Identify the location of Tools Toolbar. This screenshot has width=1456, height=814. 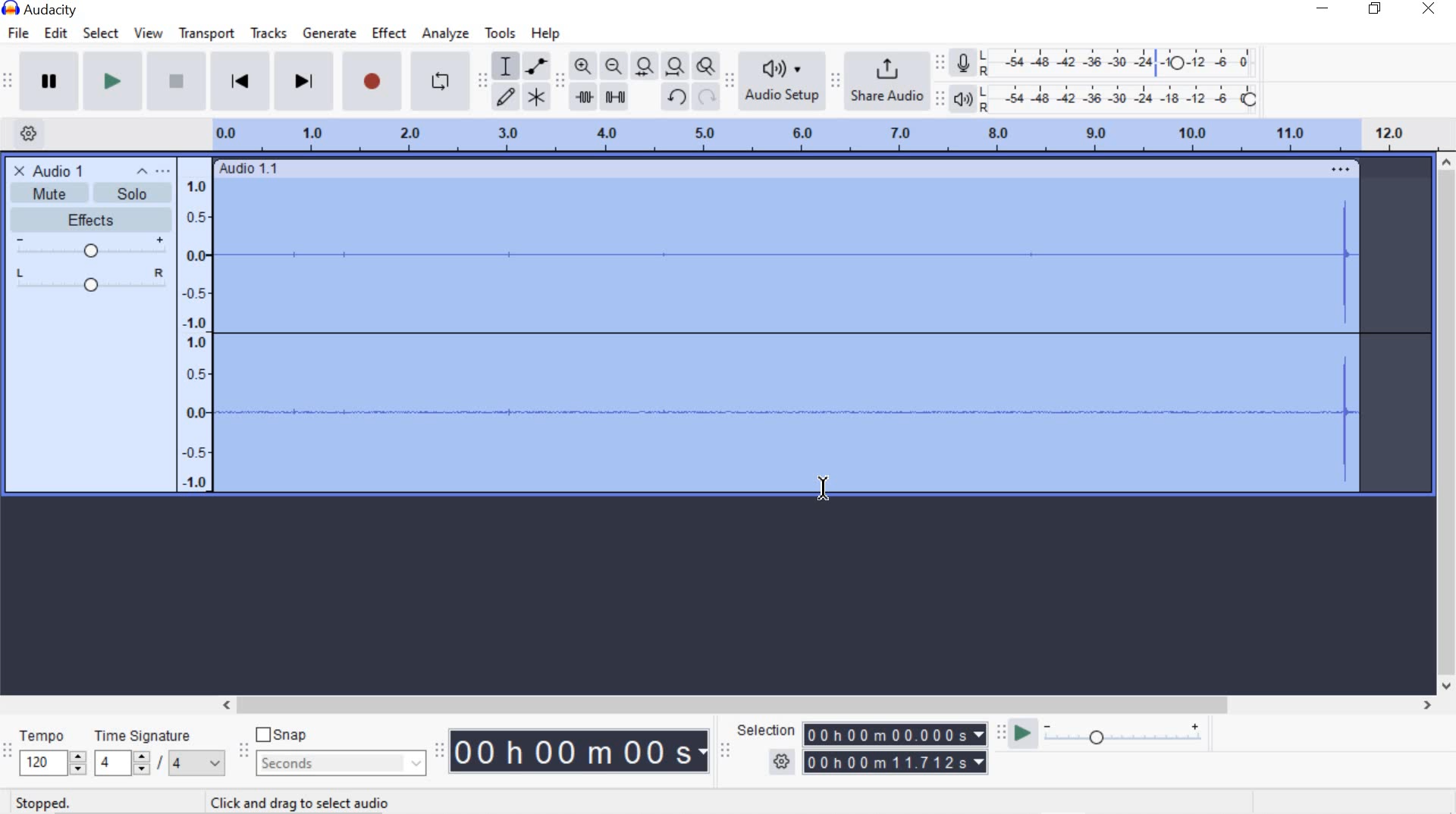
(483, 77).